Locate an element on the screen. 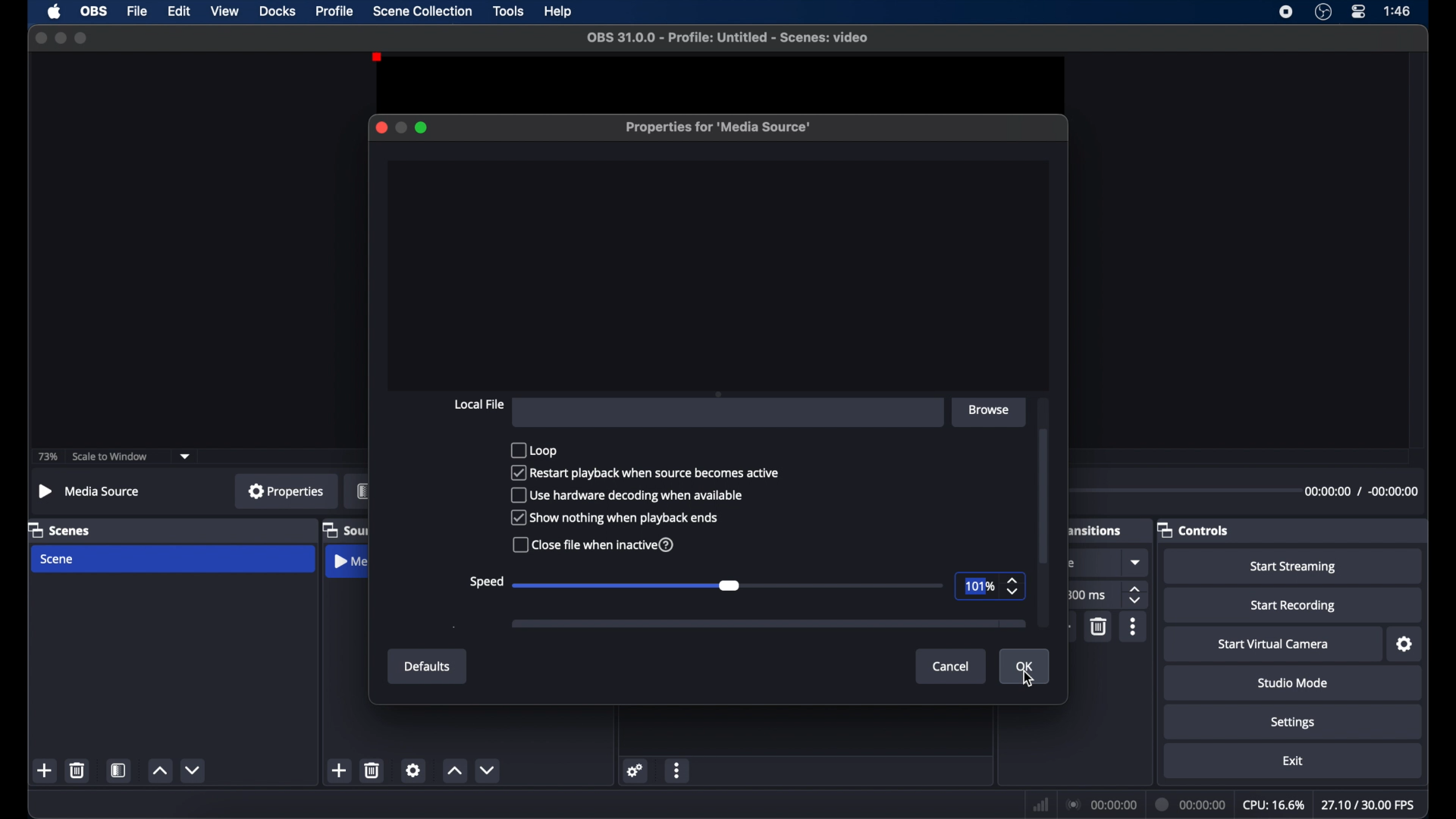 This screenshot has width=1456, height=819. maximize is located at coordinates (82, 38).